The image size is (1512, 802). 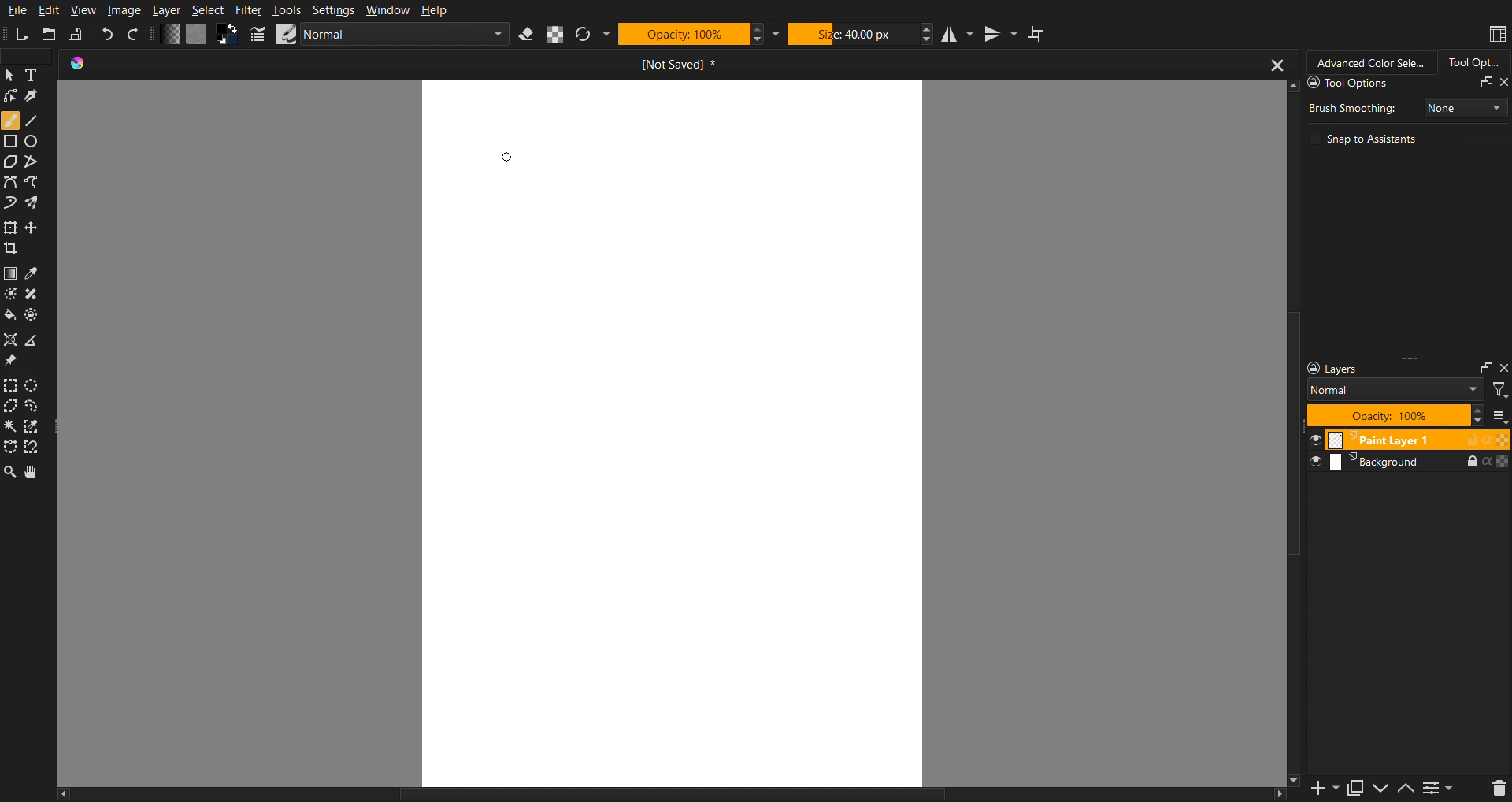 I want to click on Fullscreen, so click(x=1484, y=83).